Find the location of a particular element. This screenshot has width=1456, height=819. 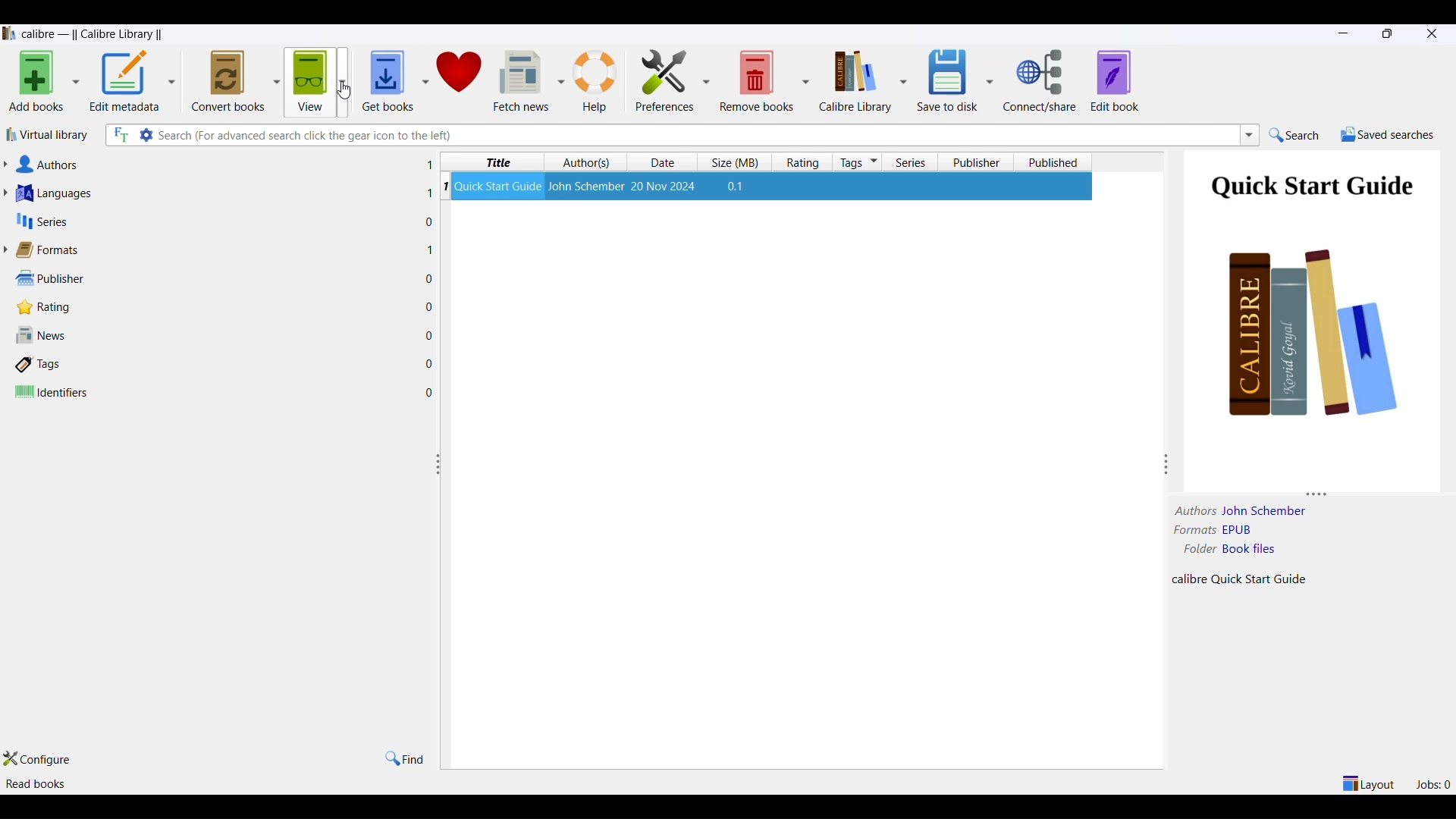

add books options dropdown button is located at coordinates (75, 83).